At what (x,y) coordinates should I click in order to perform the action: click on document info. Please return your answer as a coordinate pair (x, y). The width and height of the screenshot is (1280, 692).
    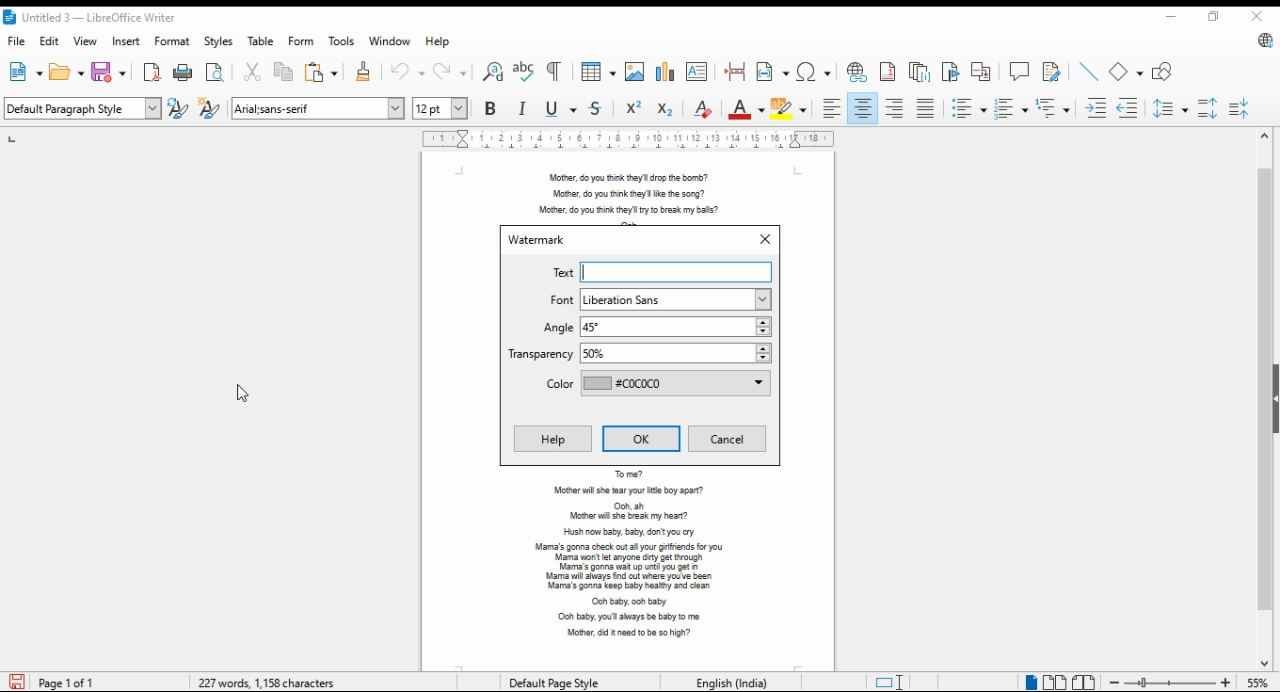
    Looking at the image, I should click on (269, 680).